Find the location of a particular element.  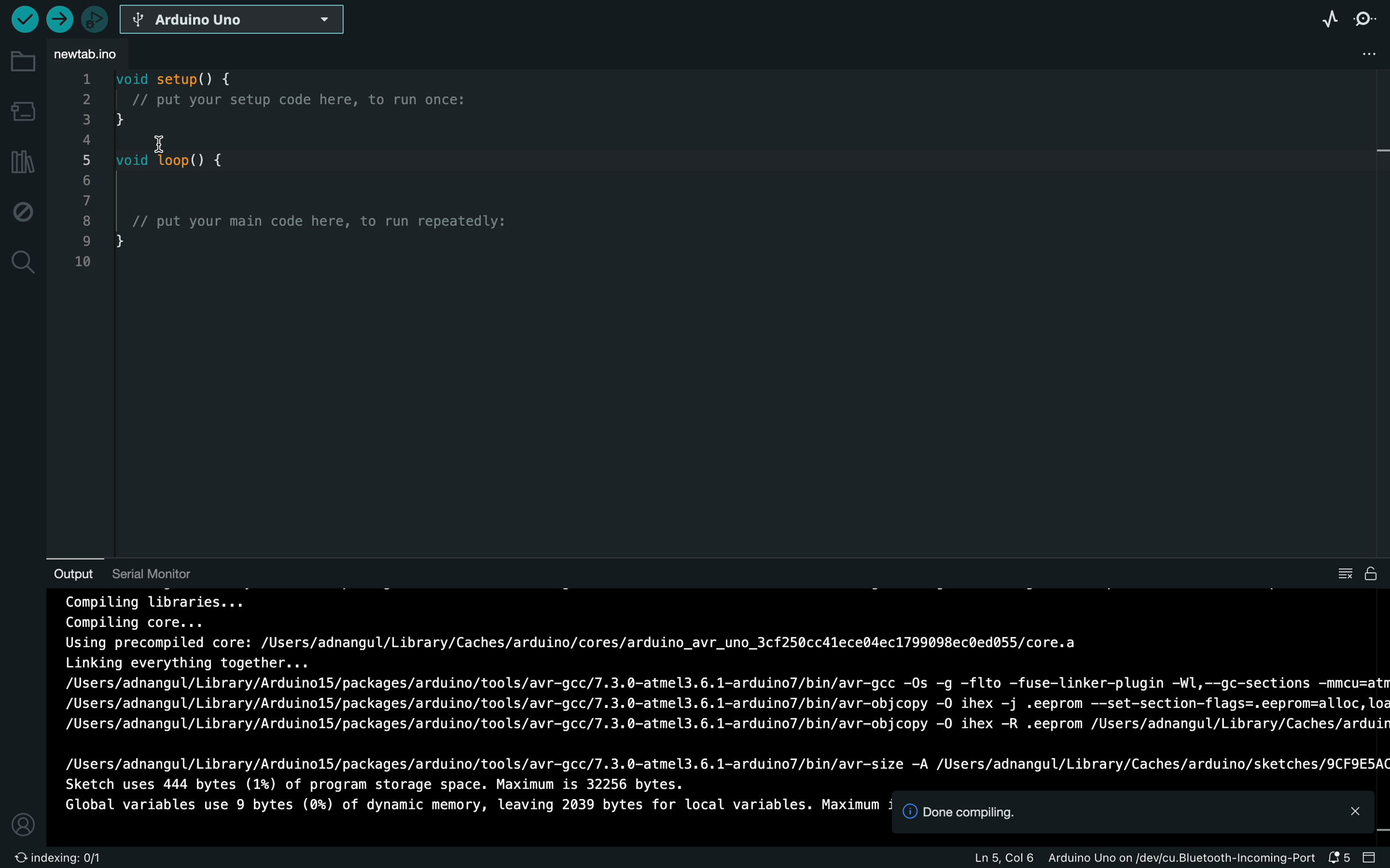

clear is located at coordinates (1349, 574).